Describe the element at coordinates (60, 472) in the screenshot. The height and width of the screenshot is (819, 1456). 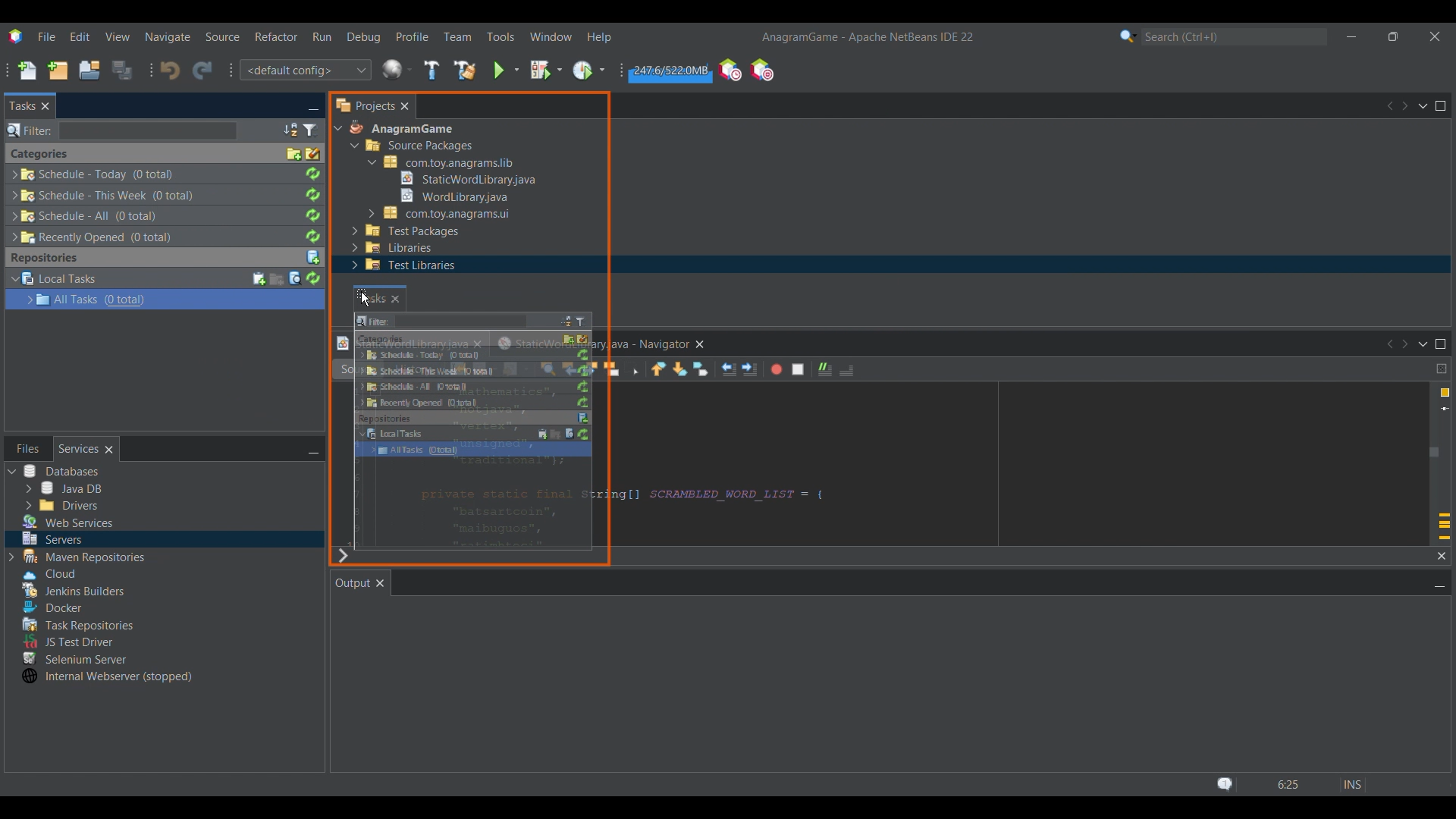
I see `` at that location.